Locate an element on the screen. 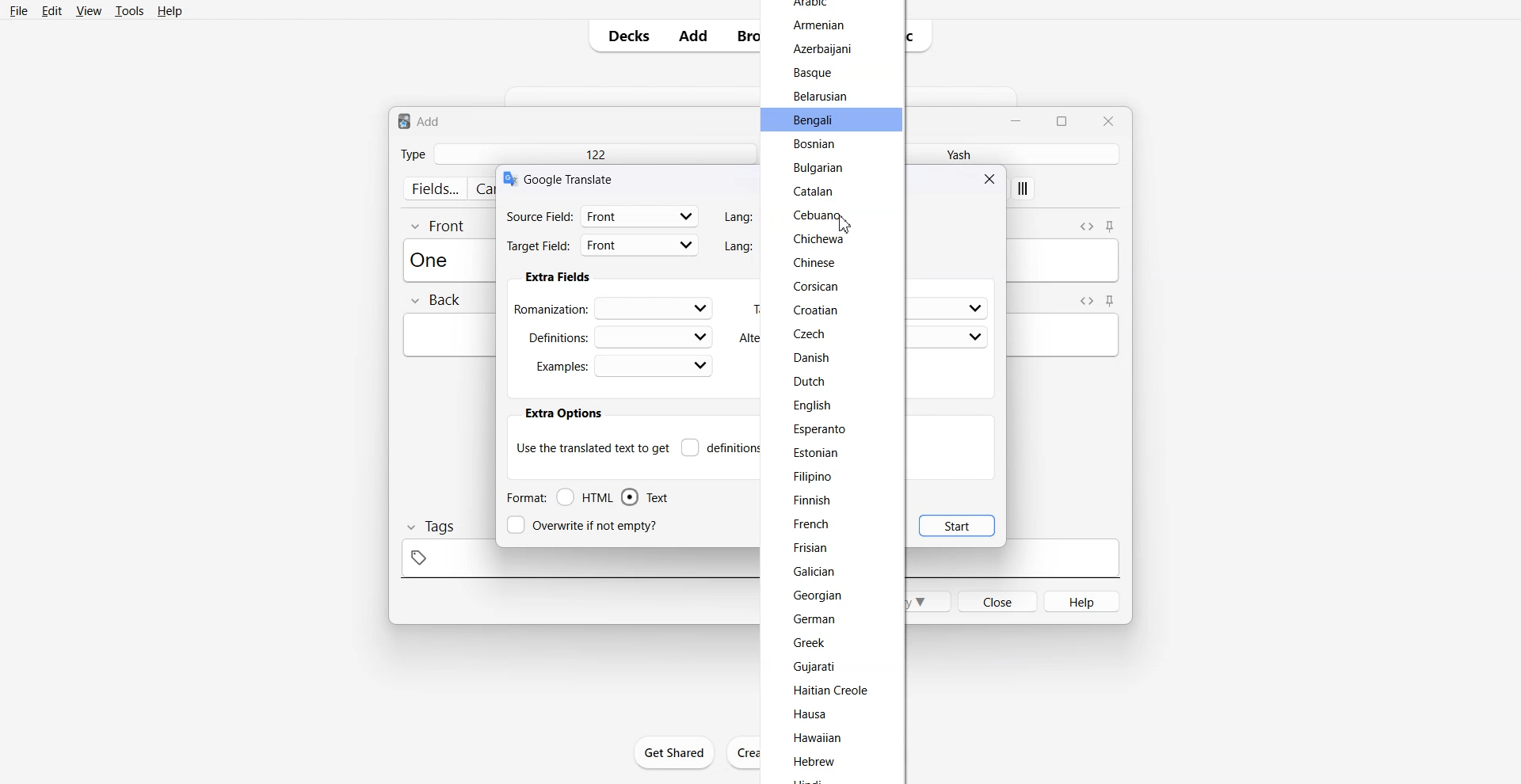  Estonian is located at coordinates (814, 453).